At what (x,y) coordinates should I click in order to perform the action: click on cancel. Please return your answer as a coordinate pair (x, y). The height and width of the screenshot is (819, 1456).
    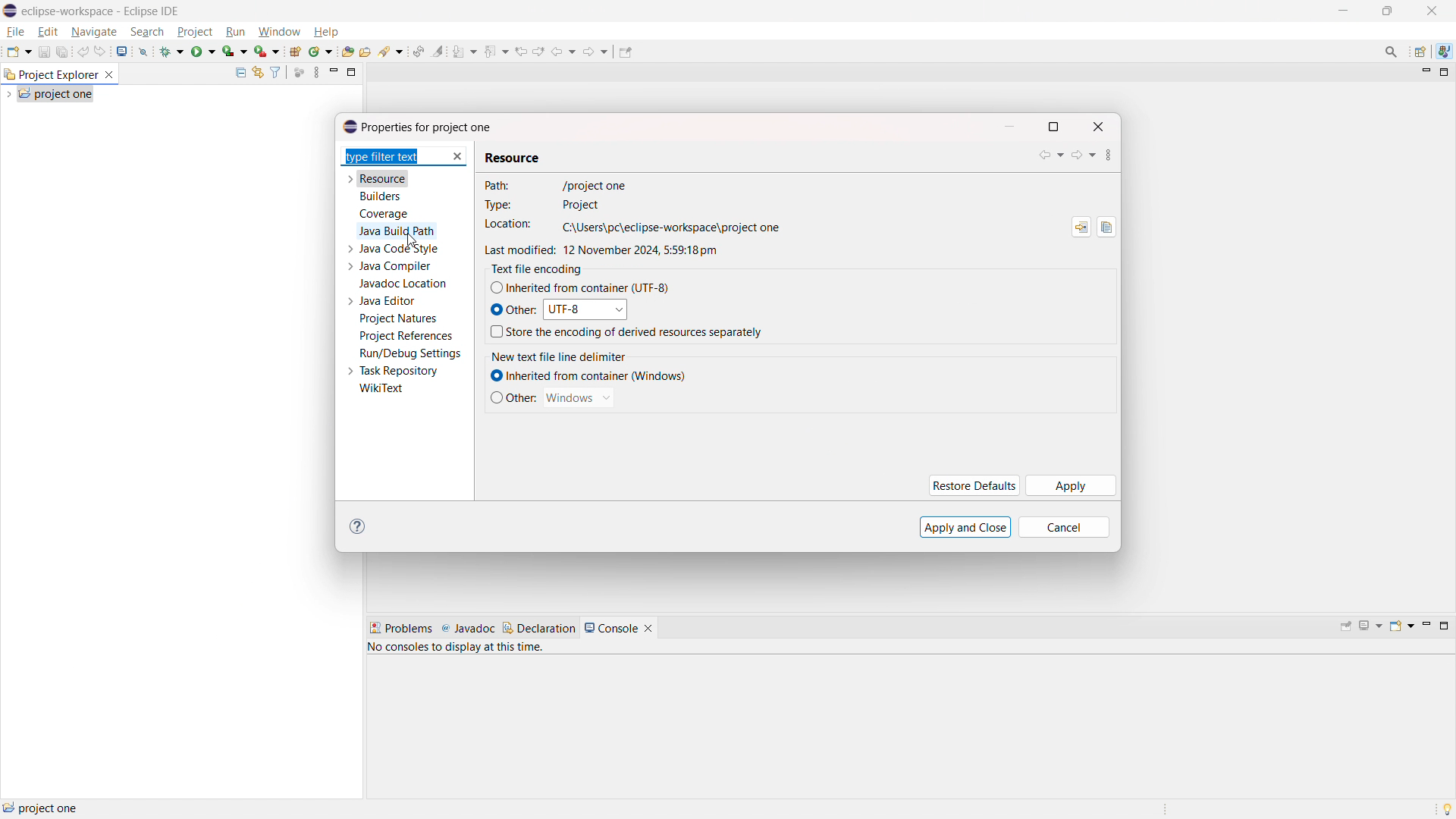
    Looking at the image, I should click on (1062, 529).